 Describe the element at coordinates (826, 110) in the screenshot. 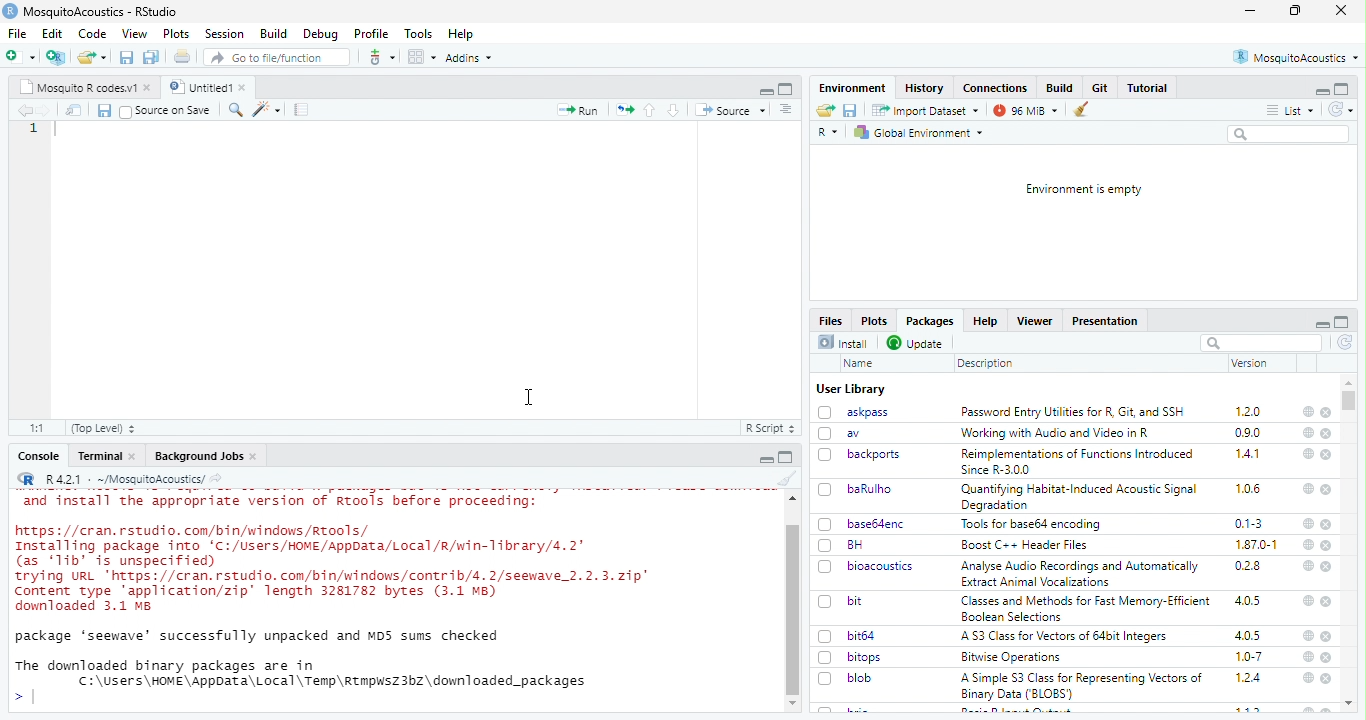

I see `share` at that location.